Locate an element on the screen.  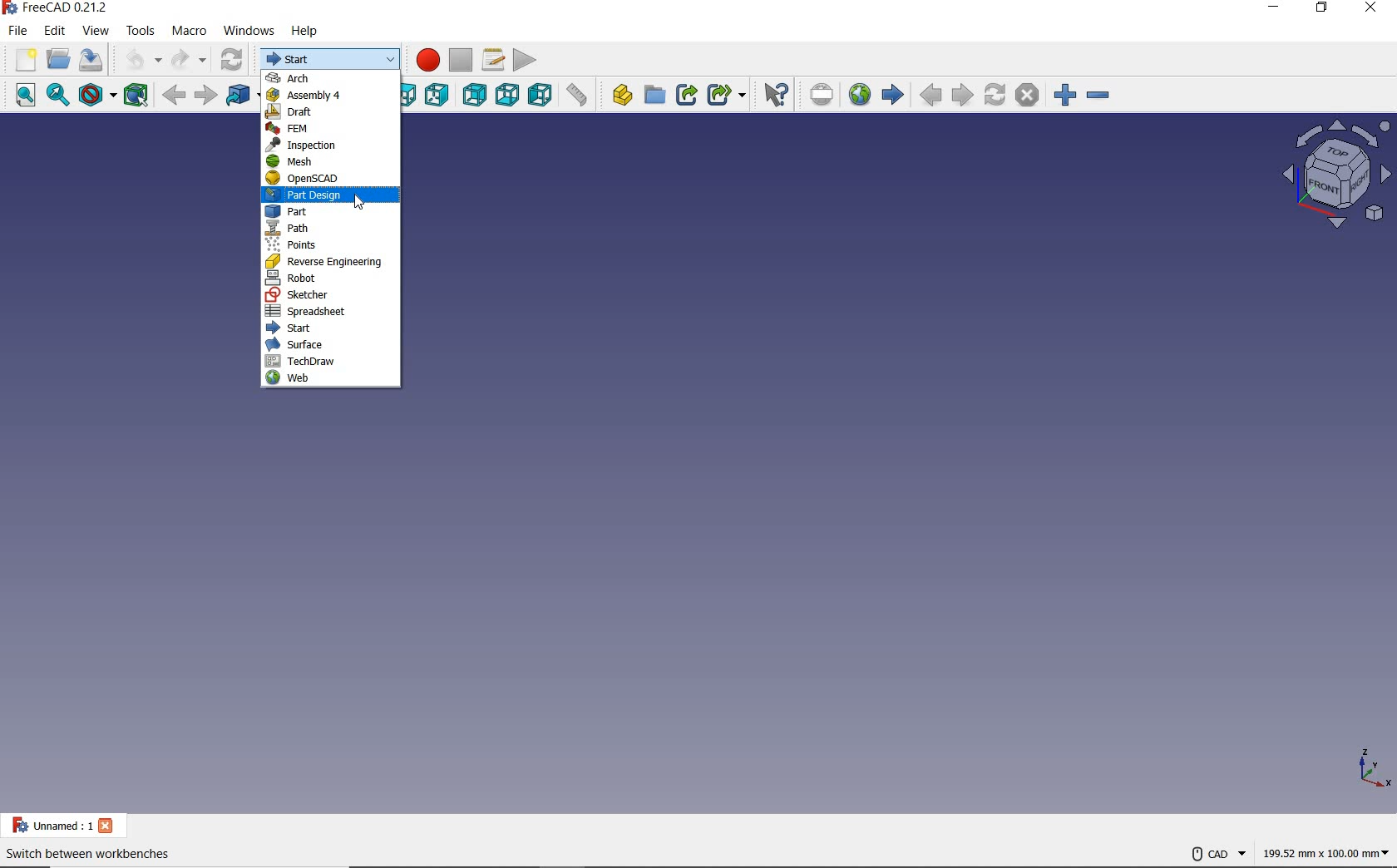
RESTORE DOWN is located at coordinates (1322, 11).